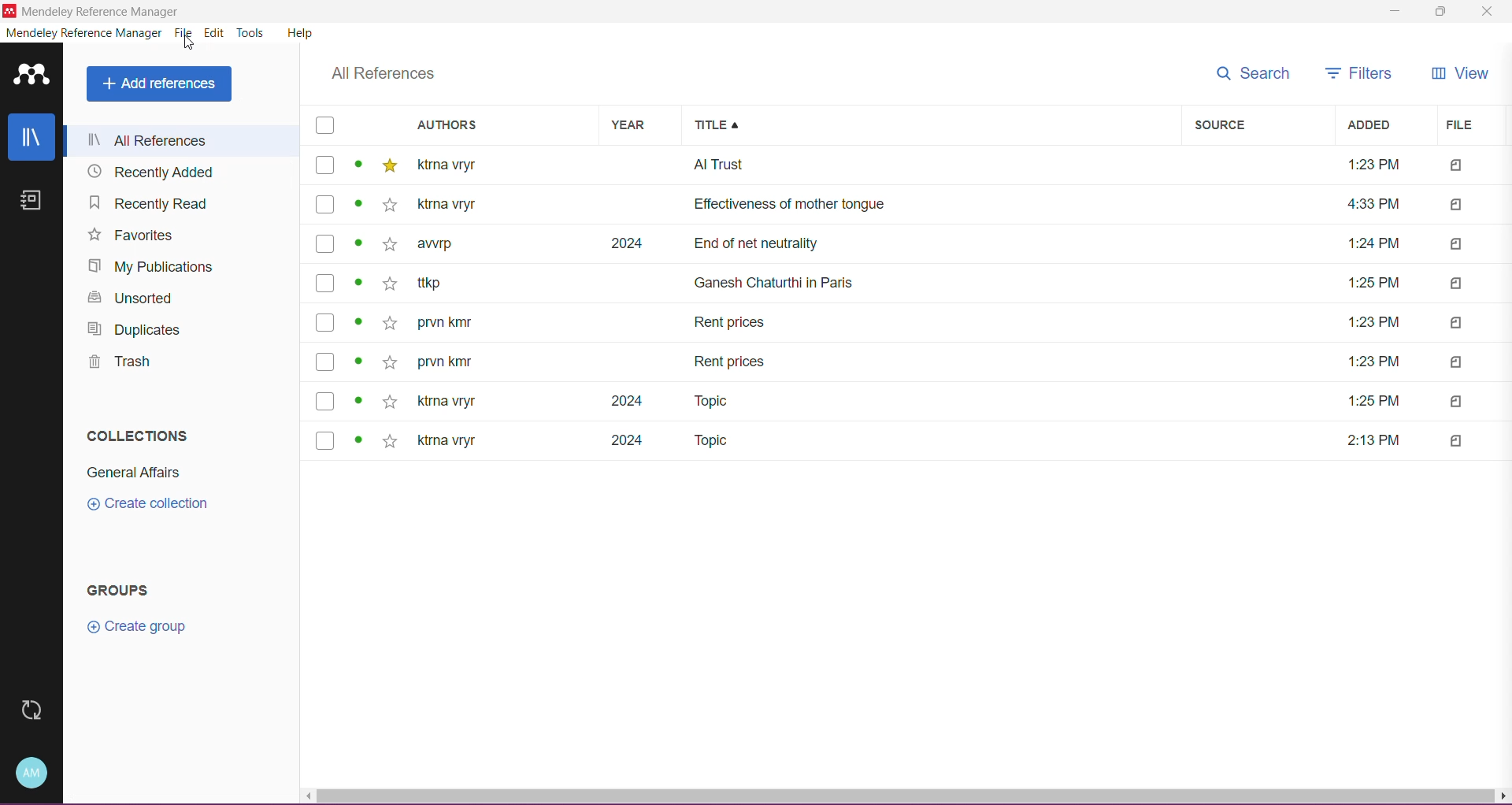 Image resolution: width=1512 pixels, height=805 pixels. Describe the element at coordinates (1252, 74) in the screenshot. I see `Search` at that location.